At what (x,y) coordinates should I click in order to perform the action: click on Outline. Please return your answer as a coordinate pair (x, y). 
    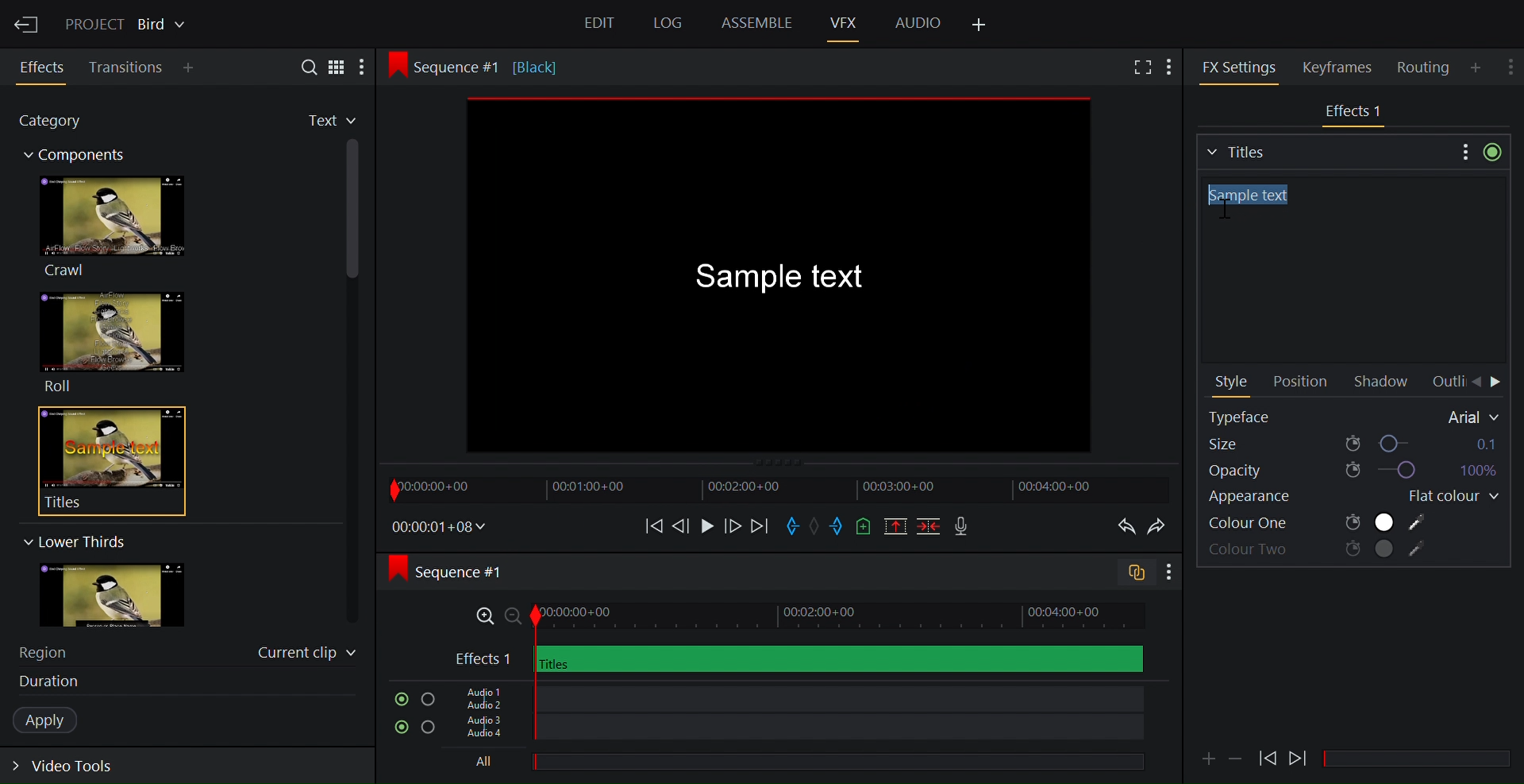
    Looking at the image, I should click on (1446, 382).